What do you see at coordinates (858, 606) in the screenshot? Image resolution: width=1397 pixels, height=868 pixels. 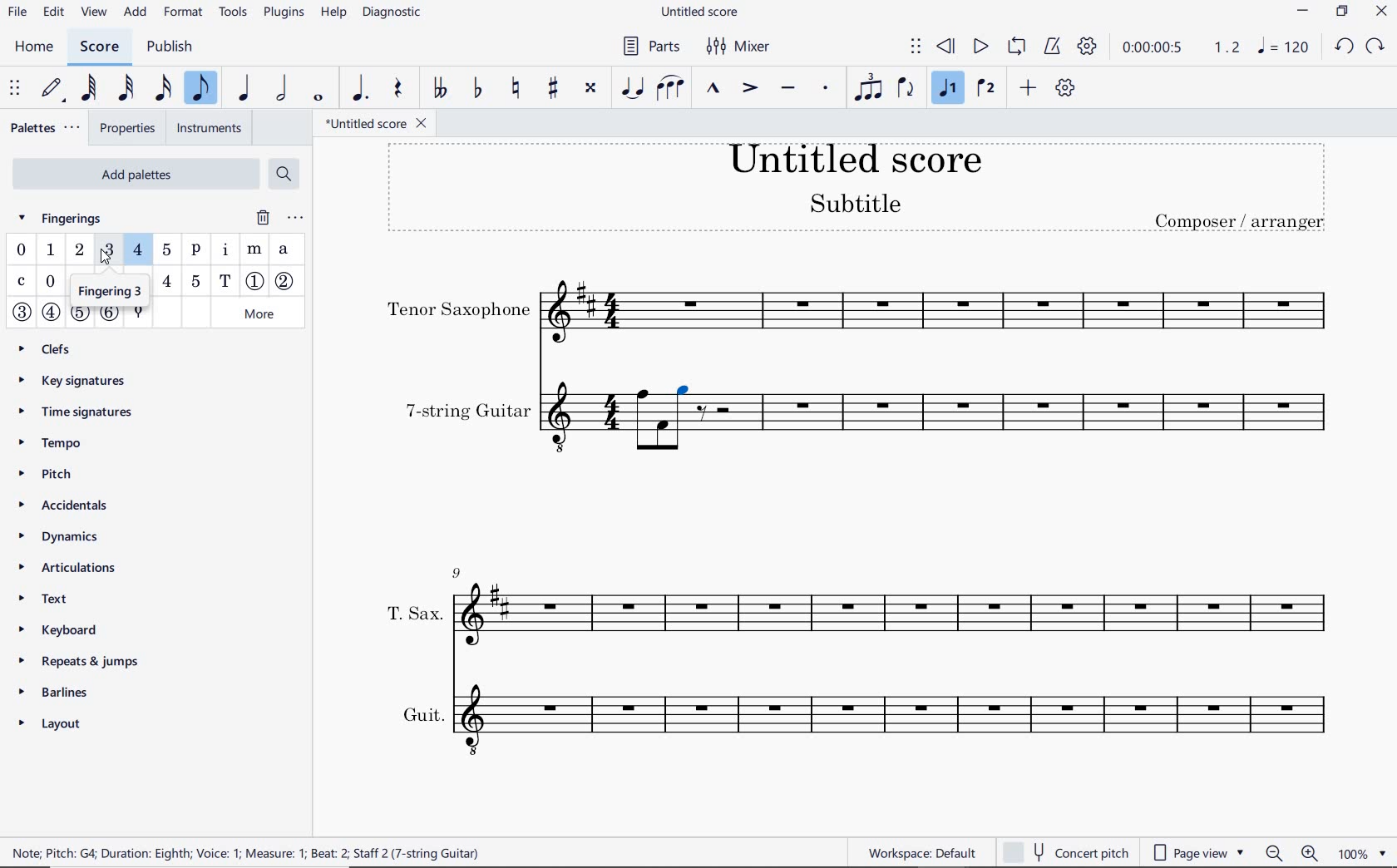 I see `INSTRUMENT: T.SAX` at bounding box center [858, 606].